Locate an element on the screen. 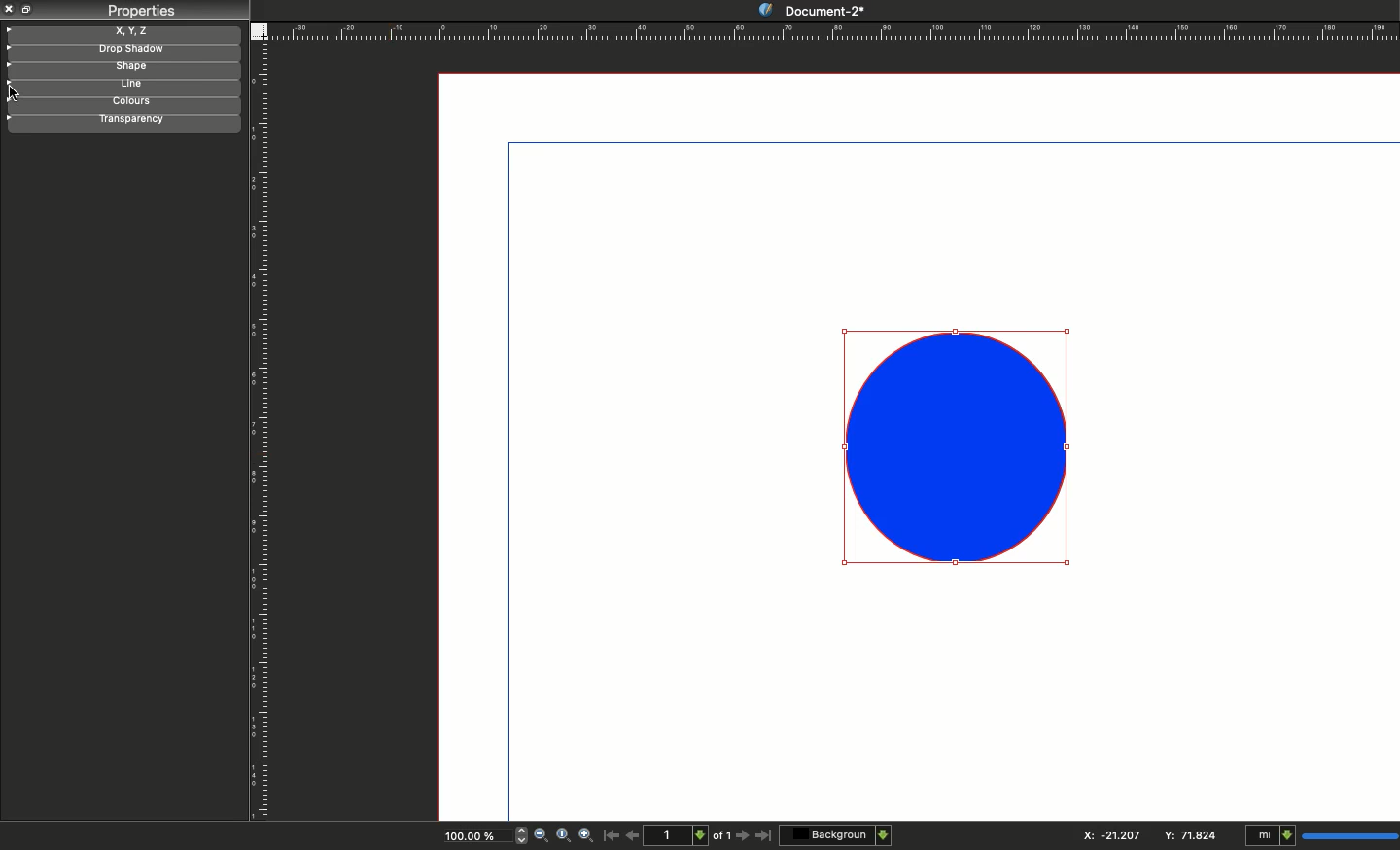 The width and height of the screenshot is (1400, 850). First page is located at coordinates (612, 834).